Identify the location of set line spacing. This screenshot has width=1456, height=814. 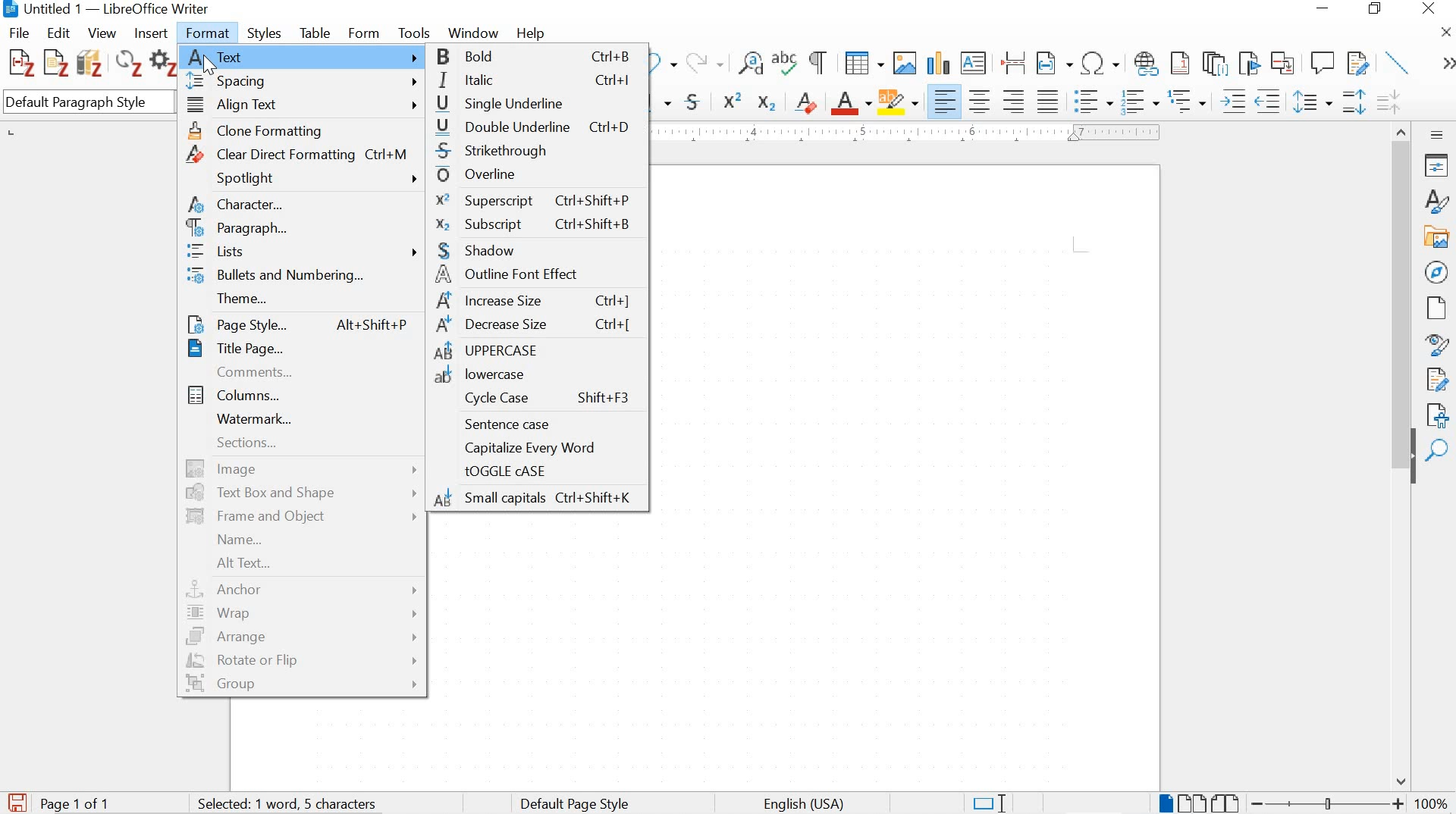
(1311, 102).